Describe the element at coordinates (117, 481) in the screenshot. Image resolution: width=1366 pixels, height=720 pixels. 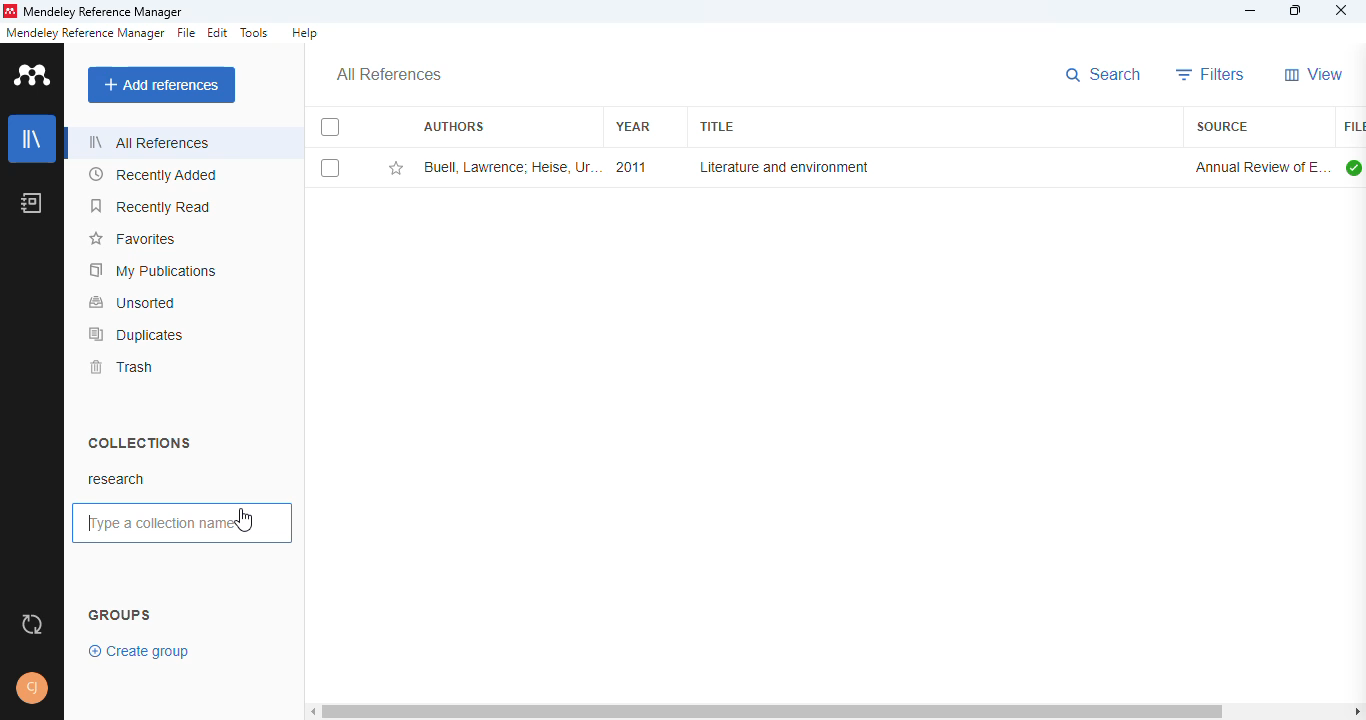
I see `research` at that location.